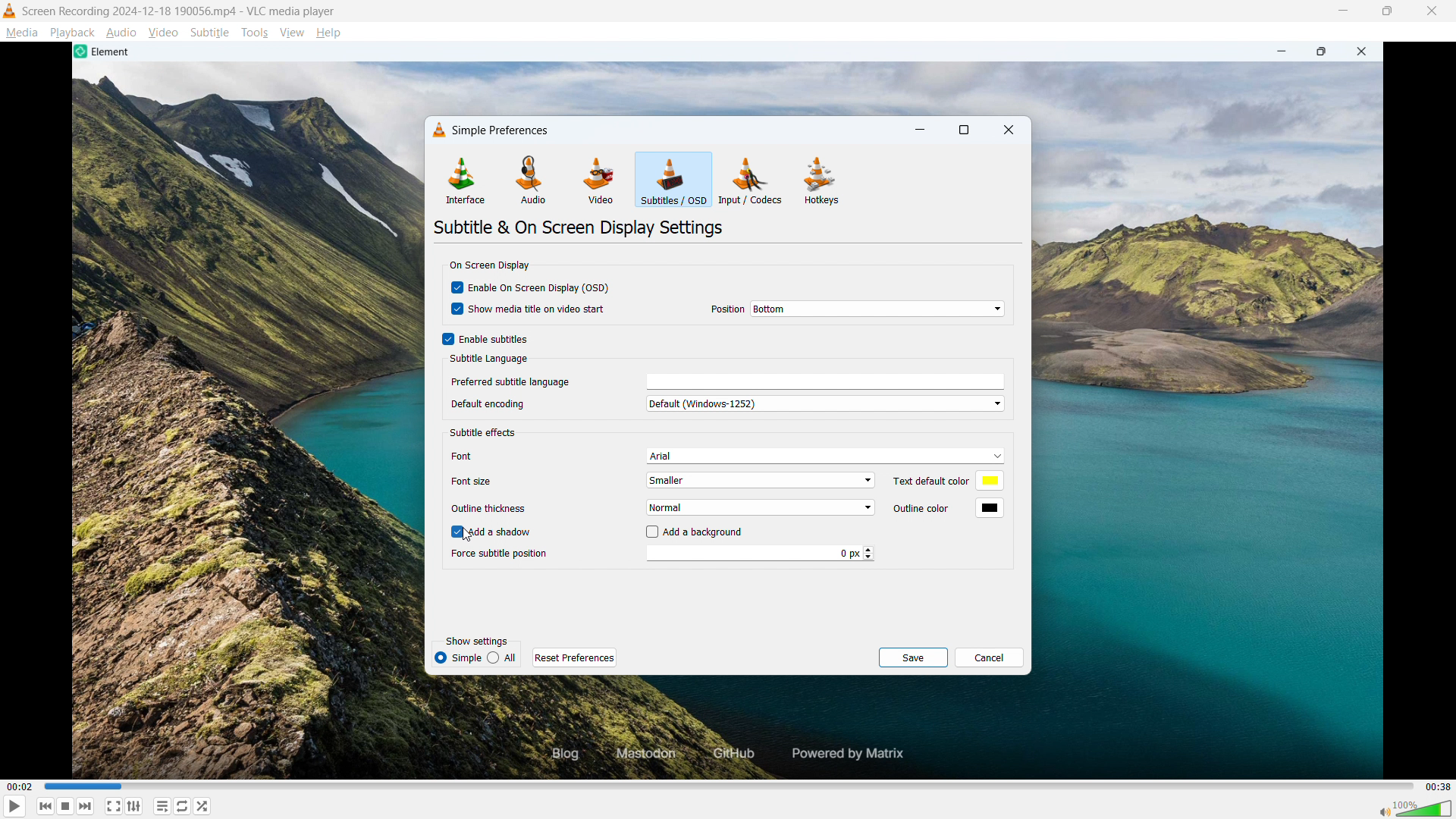  I want to click on Show media title on video start, so click(539, 310).